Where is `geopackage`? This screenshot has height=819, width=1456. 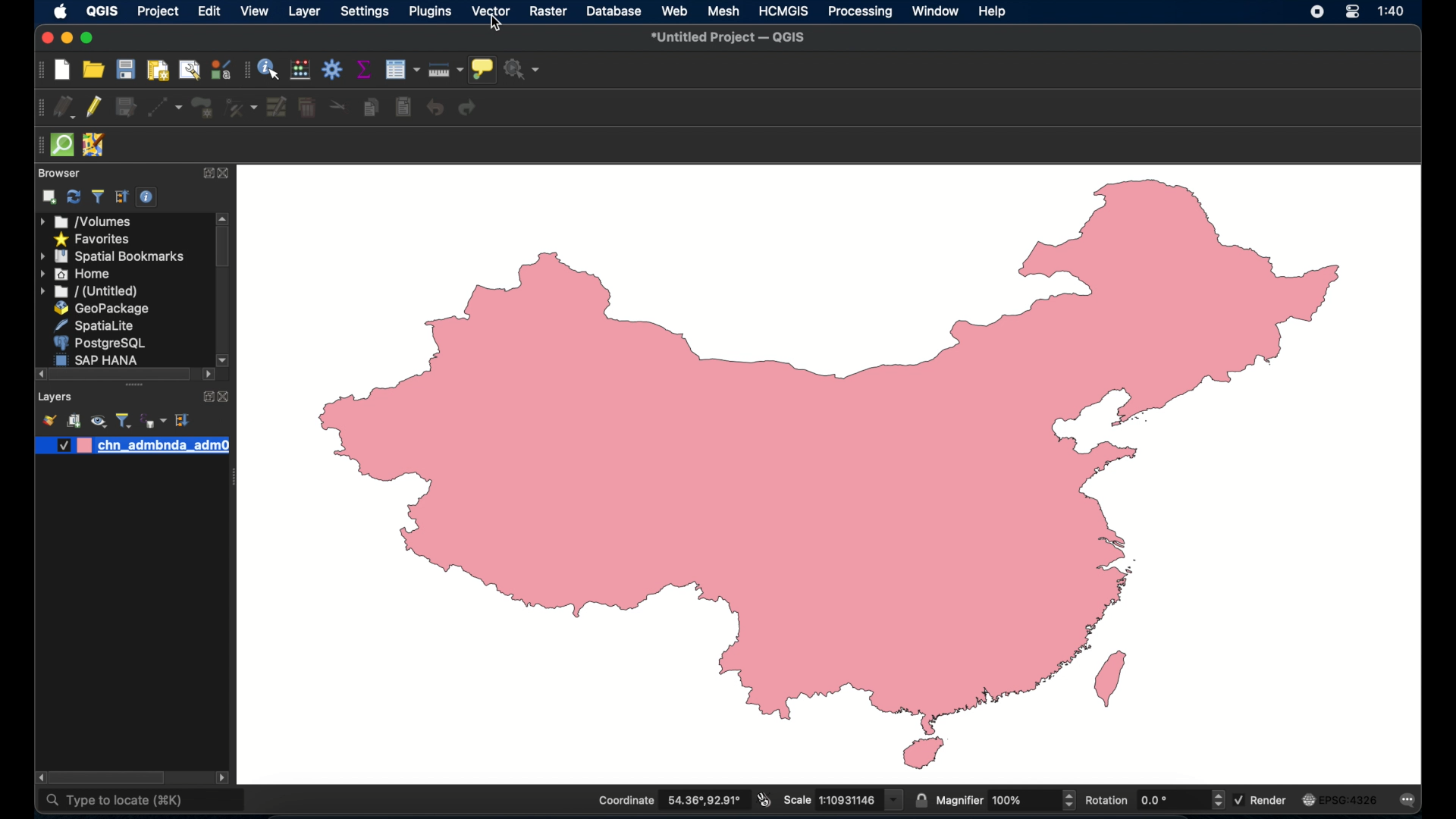
geopackage is located at coordinates (105, 309).